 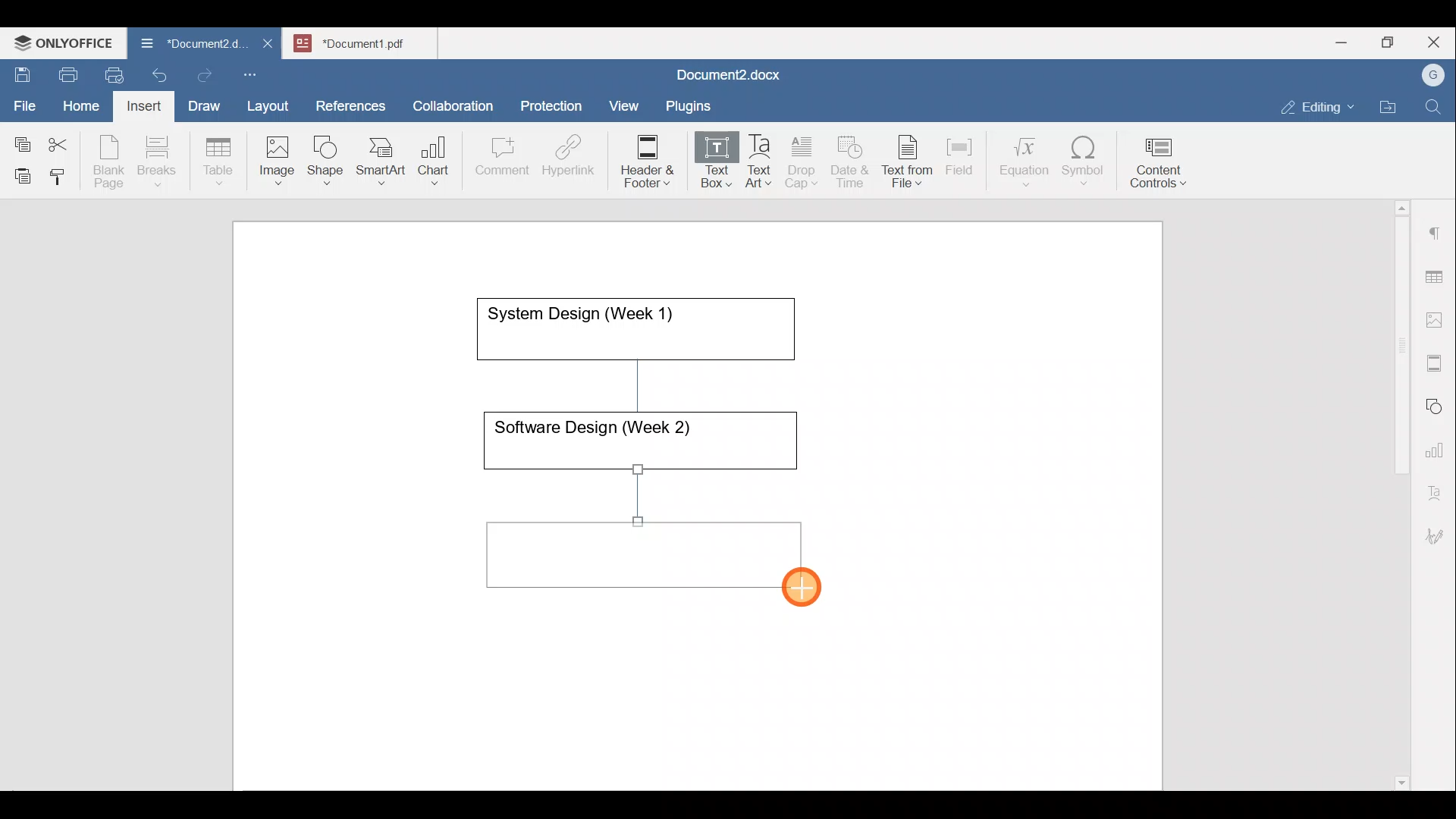 I want to click on Shape, so click(x=327, y=153).